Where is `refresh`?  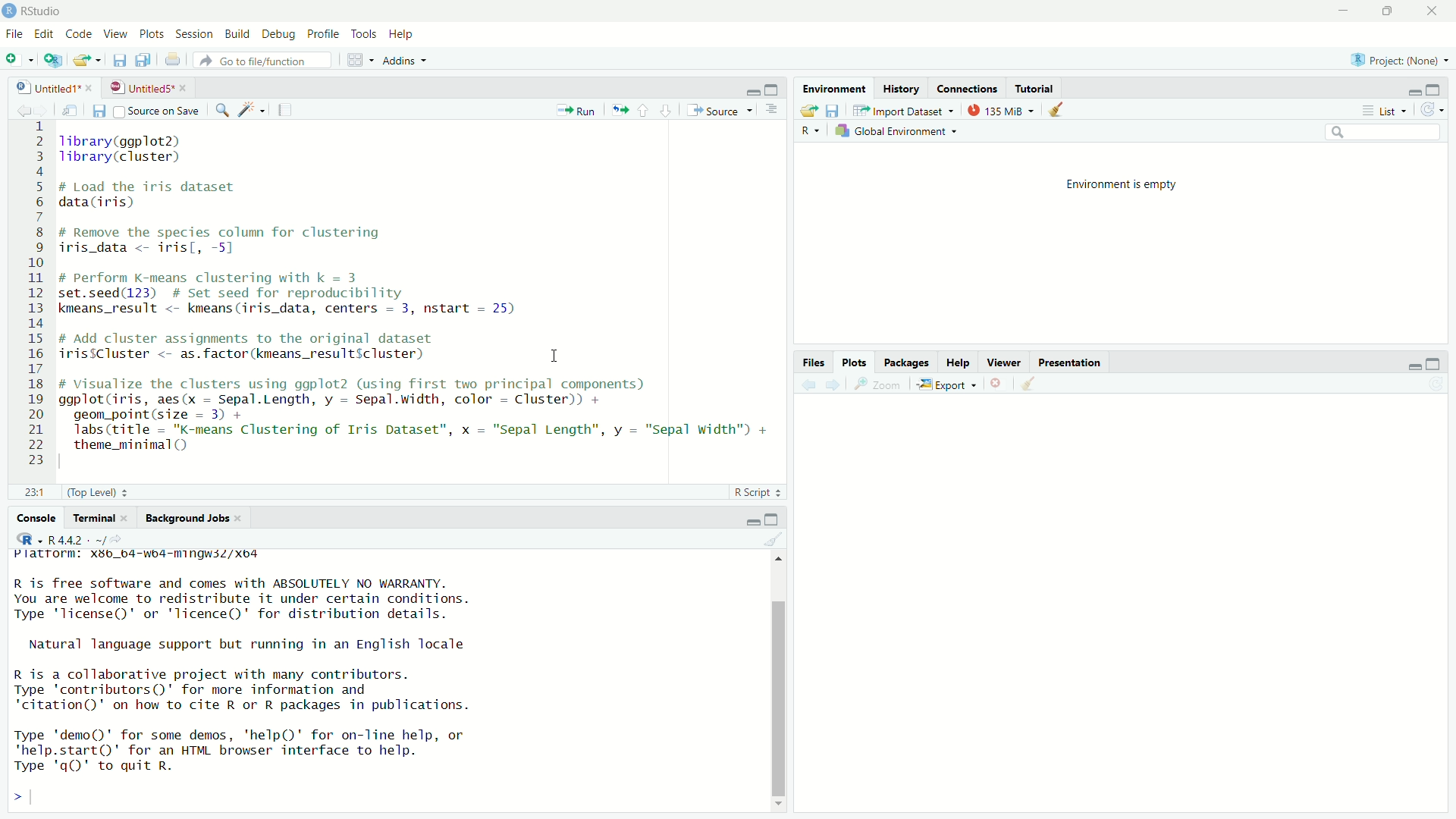 refresh is located at coordinates (1436, 109).